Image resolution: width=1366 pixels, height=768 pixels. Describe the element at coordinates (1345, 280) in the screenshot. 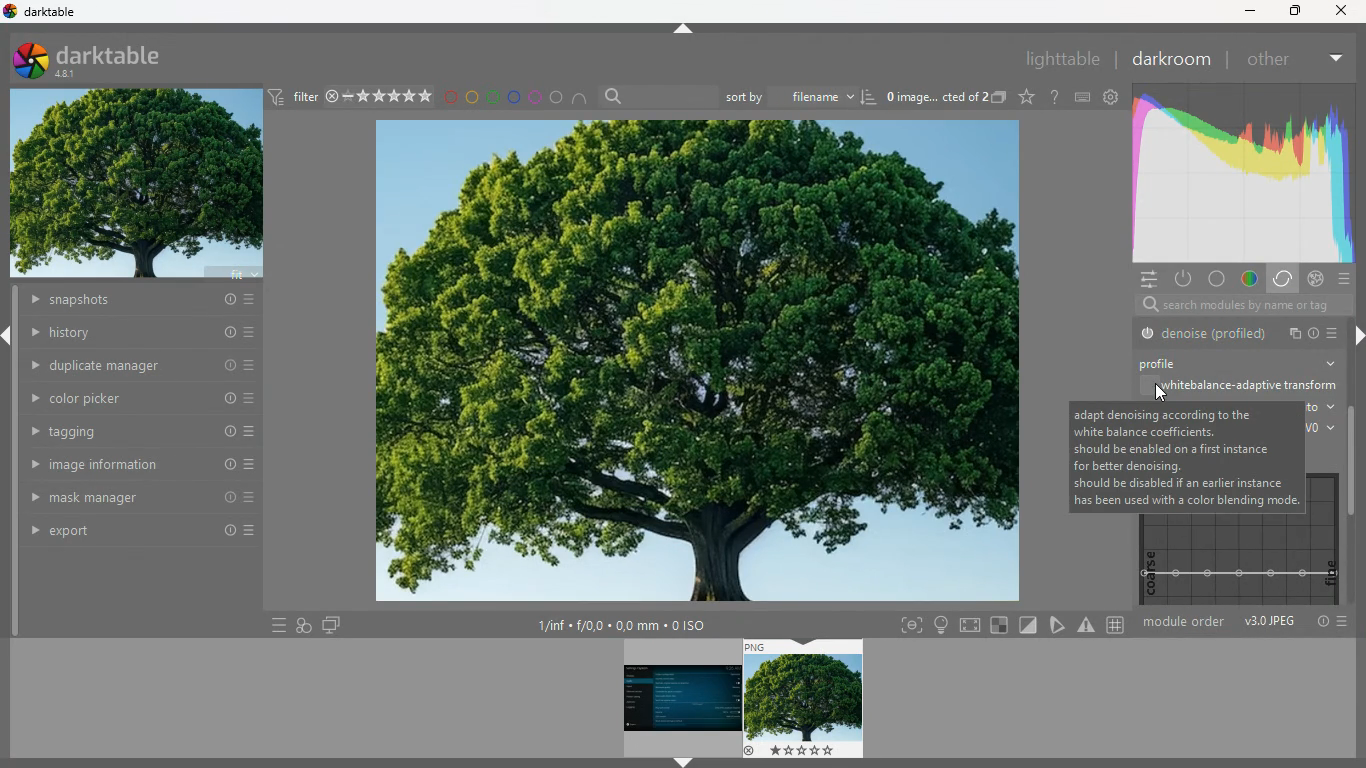

I see `more` at that location.